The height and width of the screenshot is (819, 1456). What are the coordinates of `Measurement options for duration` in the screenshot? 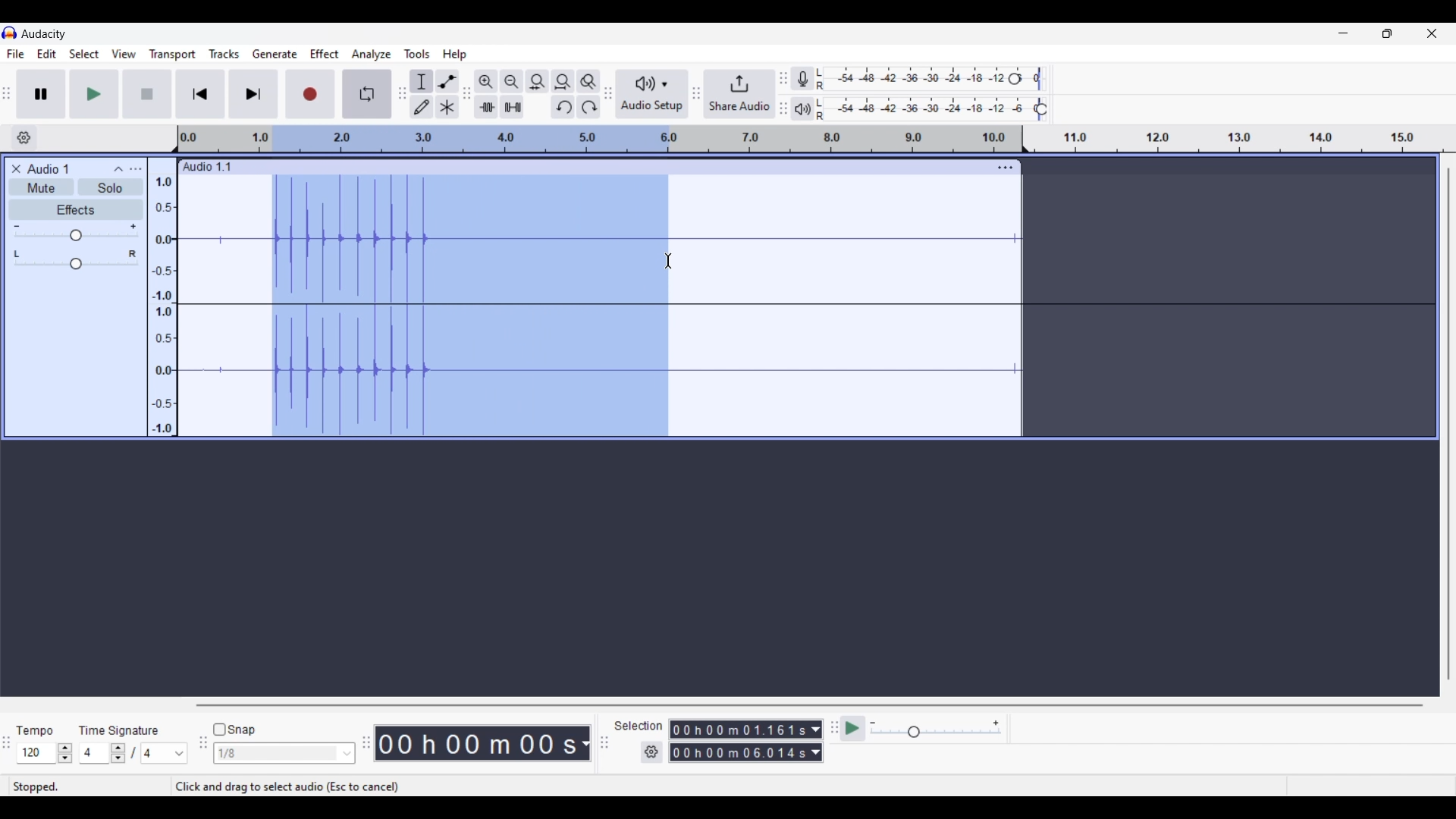 It's located at (584, 744).